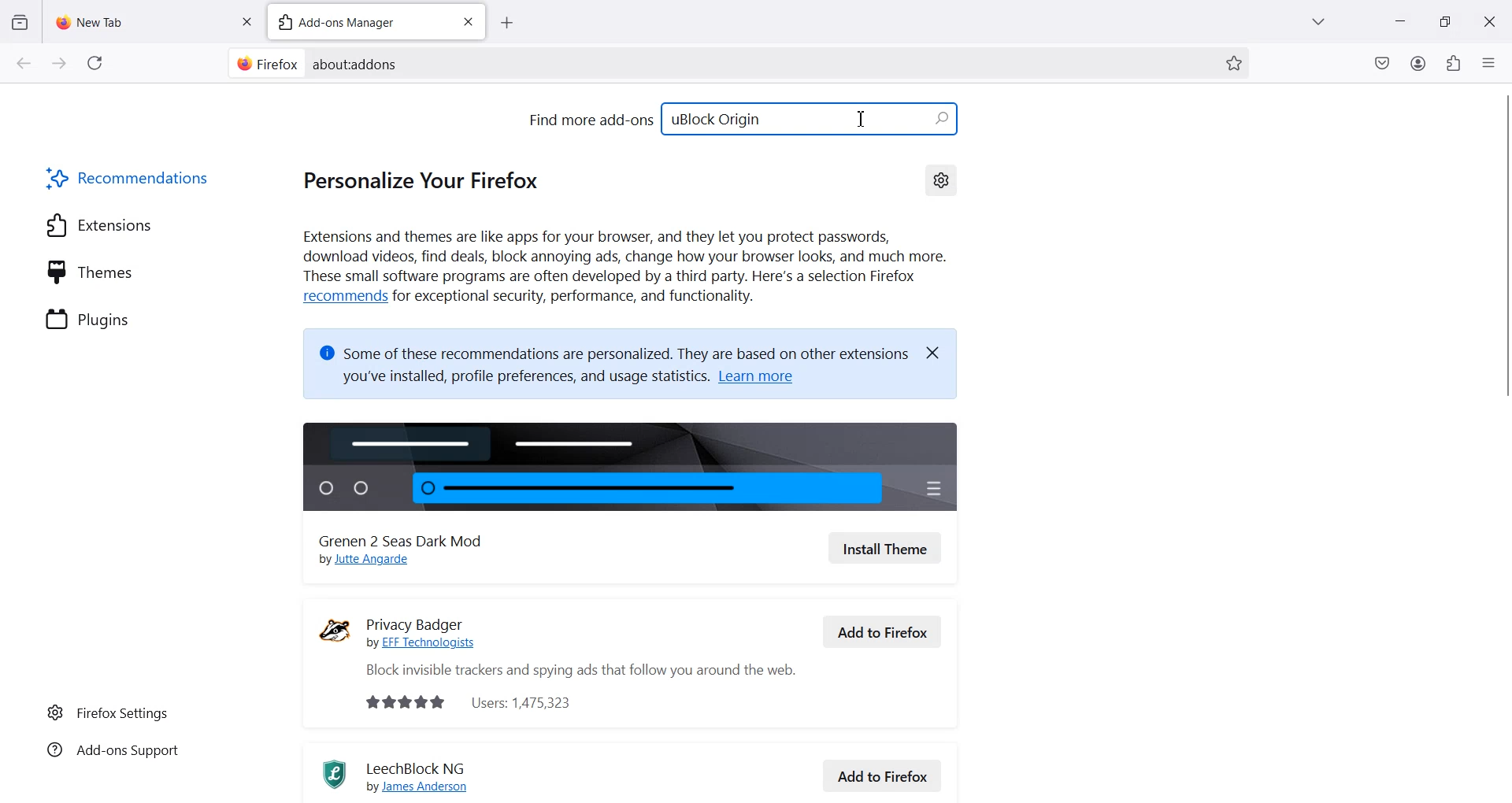  What do you see at coordinates (585, 299) in the screenshot?
I see `for exceptional security, performance, and functionality.` at bounding box center [585, 299].